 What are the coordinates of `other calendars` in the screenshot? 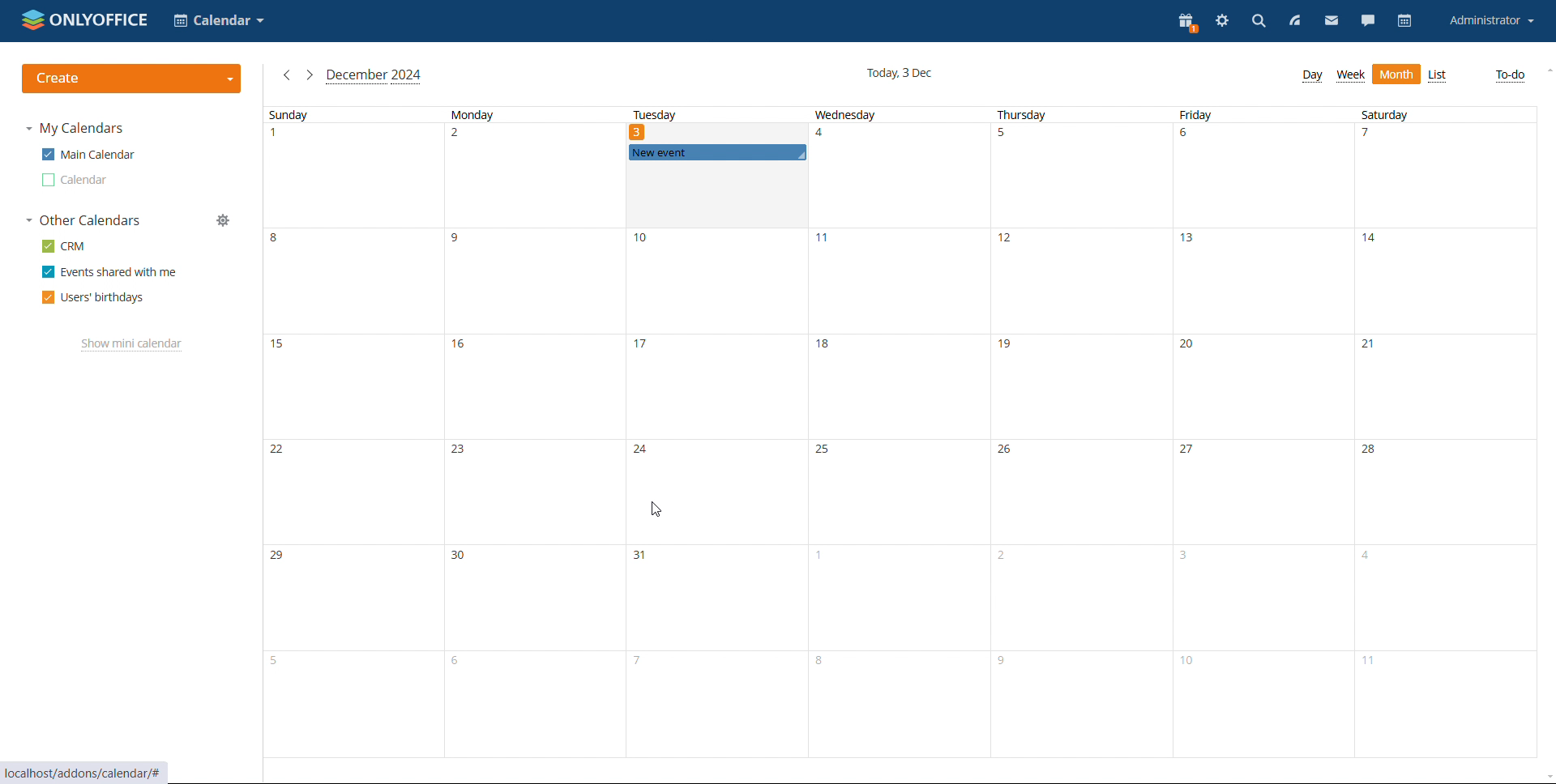 It's located at (83, 221).